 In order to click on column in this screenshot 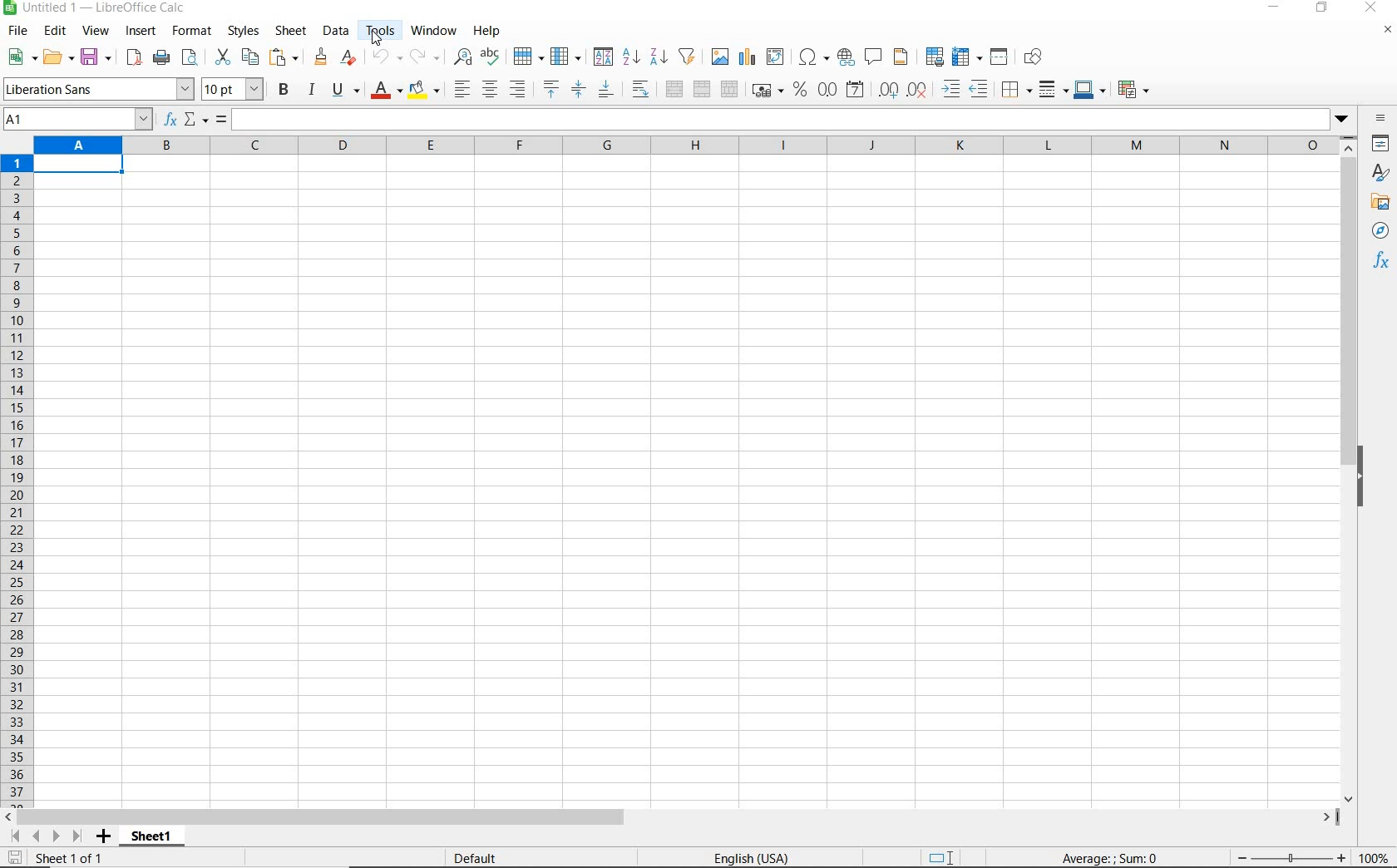, I will do `click(565, 57)`.